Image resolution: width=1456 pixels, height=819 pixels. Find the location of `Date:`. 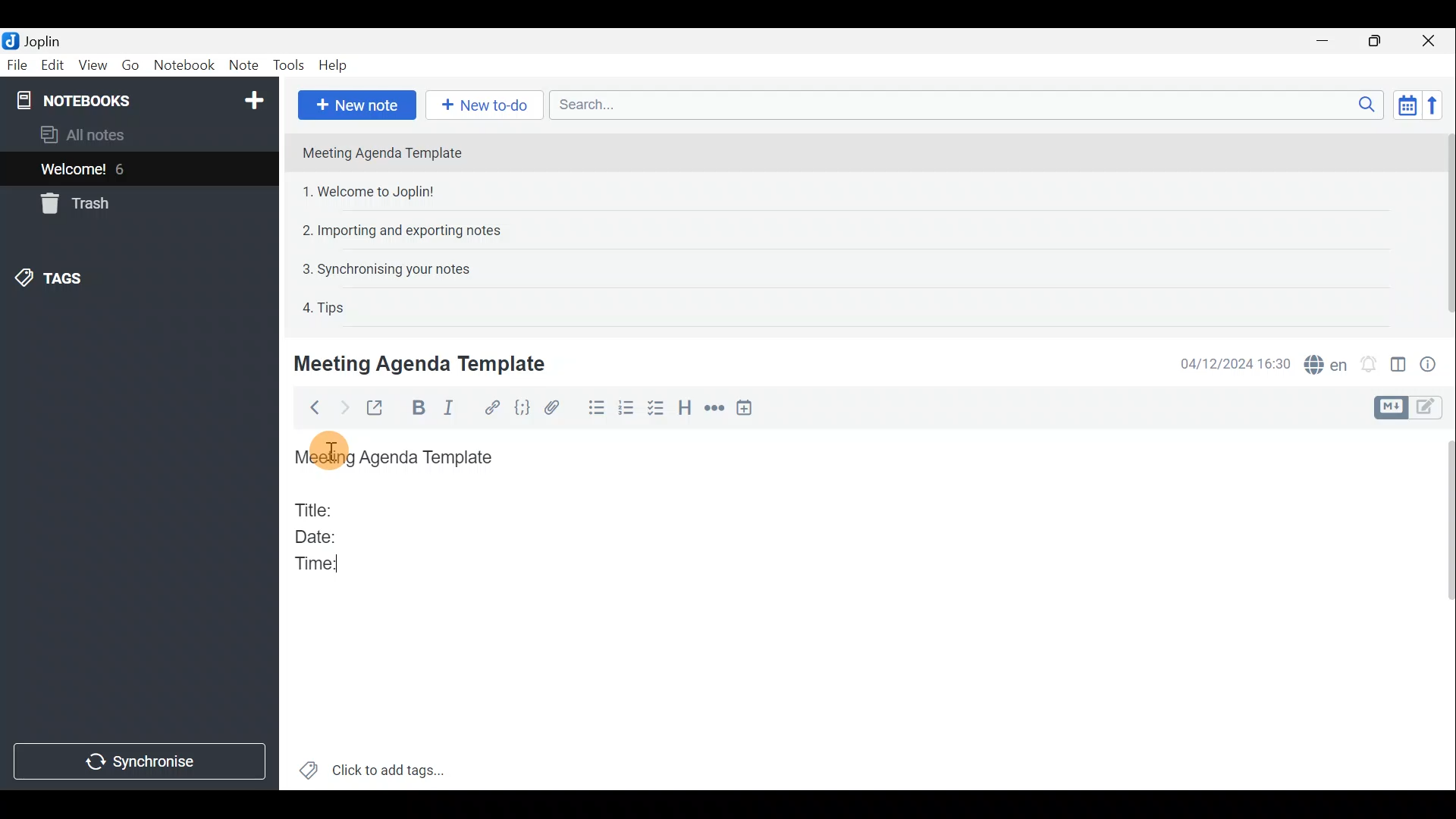

Date: is located at coordinates (328, 535).